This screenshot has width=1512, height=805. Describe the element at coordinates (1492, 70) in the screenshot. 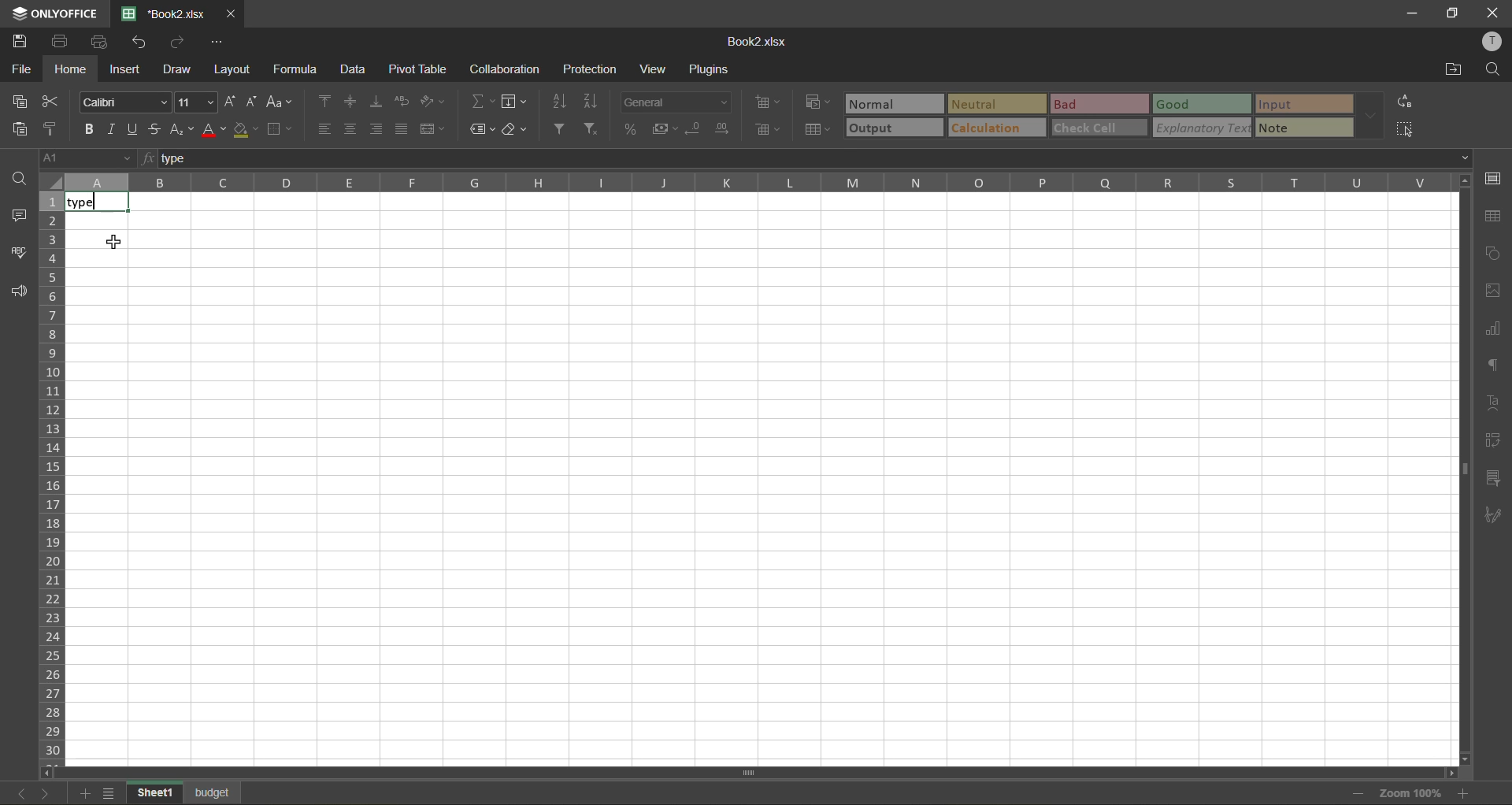

I see `find` at that location.